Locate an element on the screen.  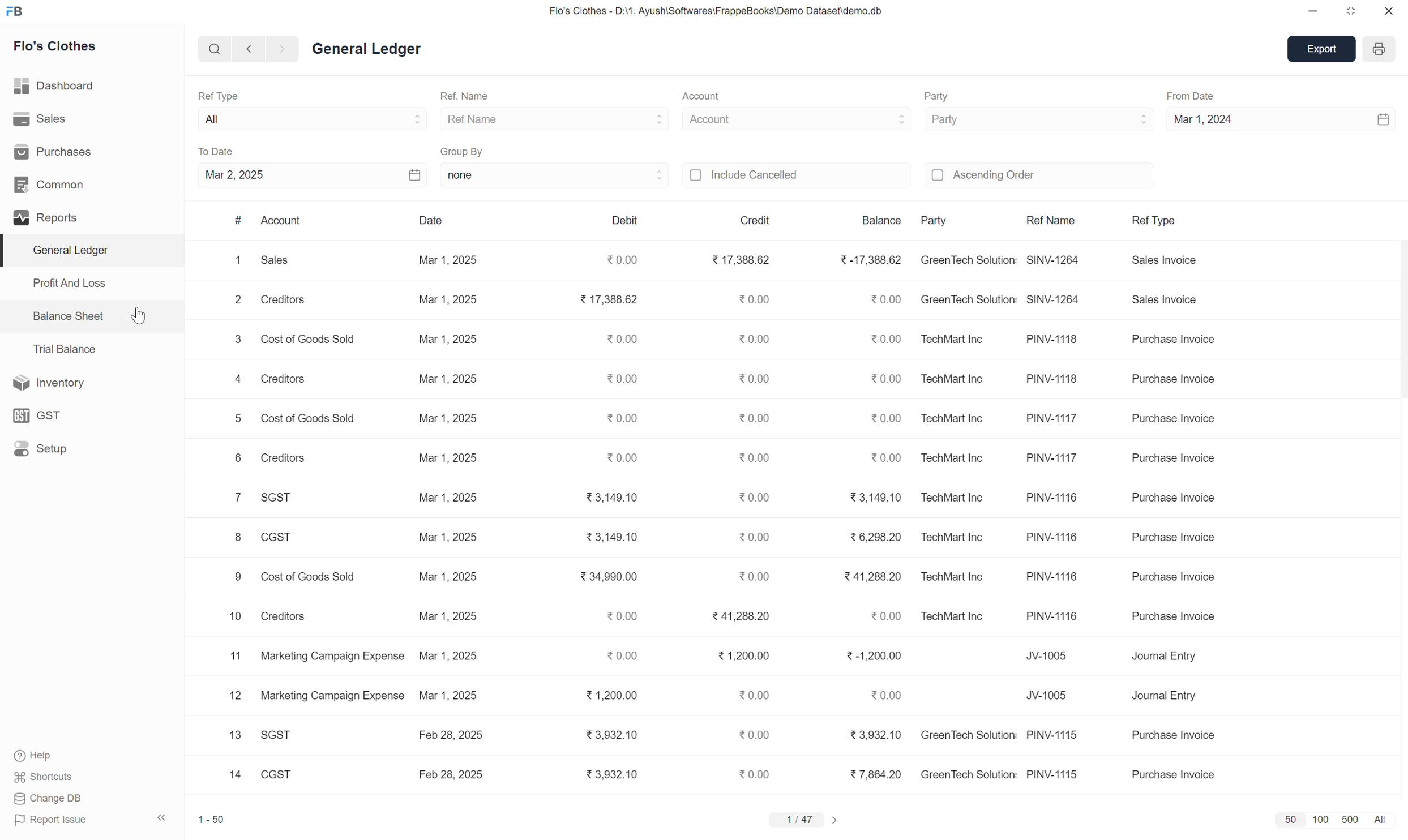
13 is located at coordinates (234, 735).